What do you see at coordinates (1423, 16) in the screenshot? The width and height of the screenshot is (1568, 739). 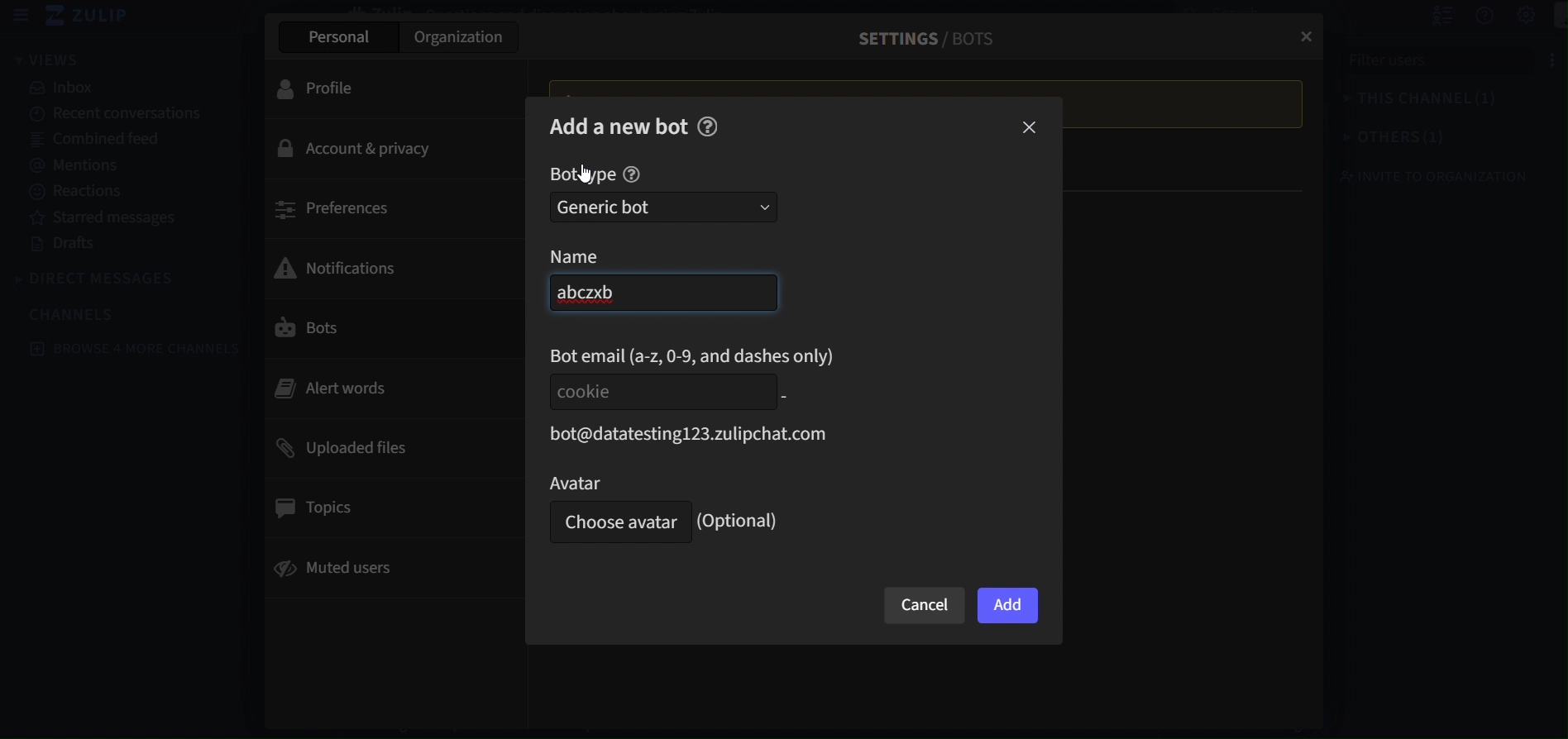 I see `hide user list` at bounding box center [1423, 16].